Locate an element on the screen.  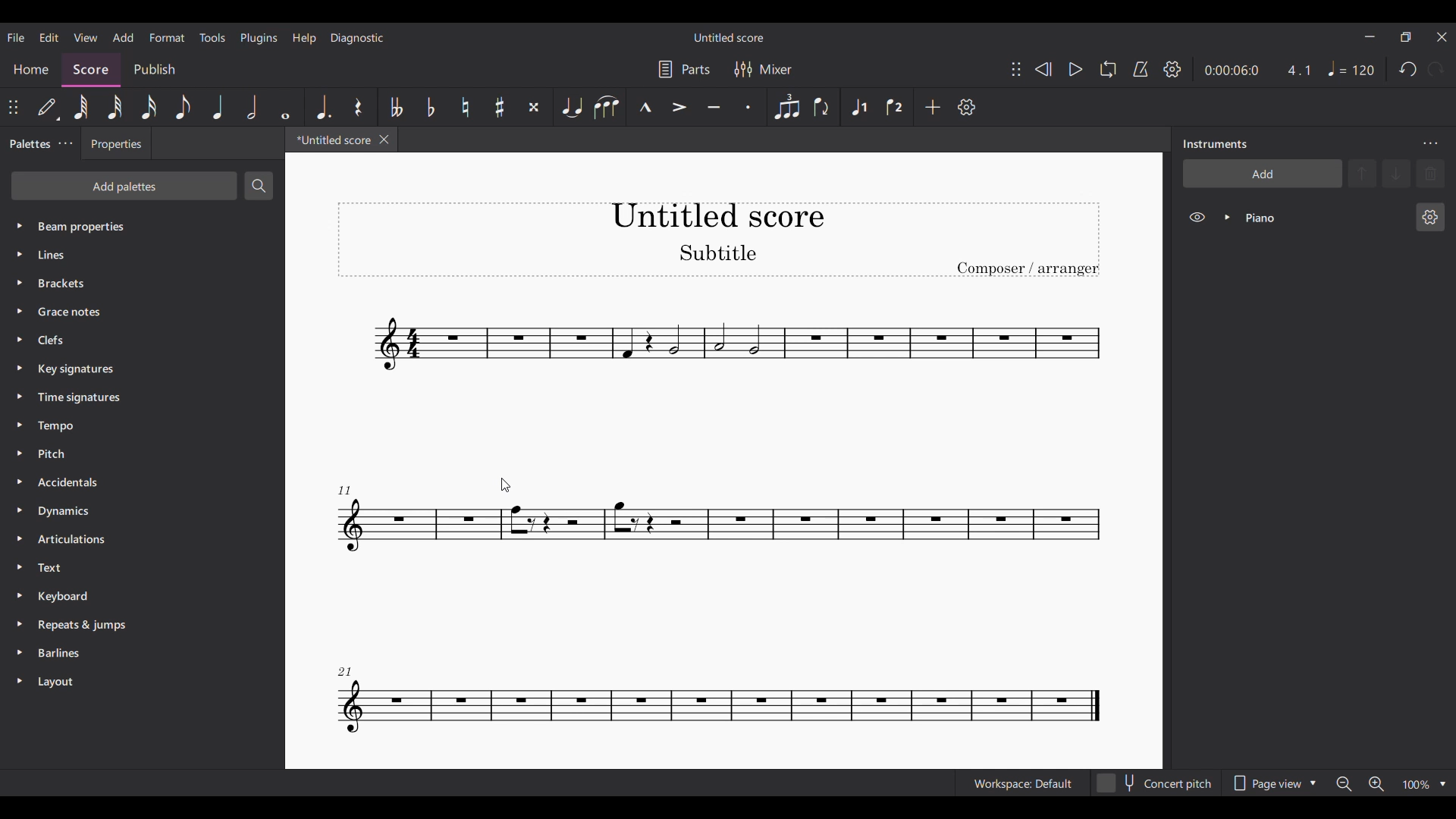
Move selected instrument up is located at coordinates (1364, 172).